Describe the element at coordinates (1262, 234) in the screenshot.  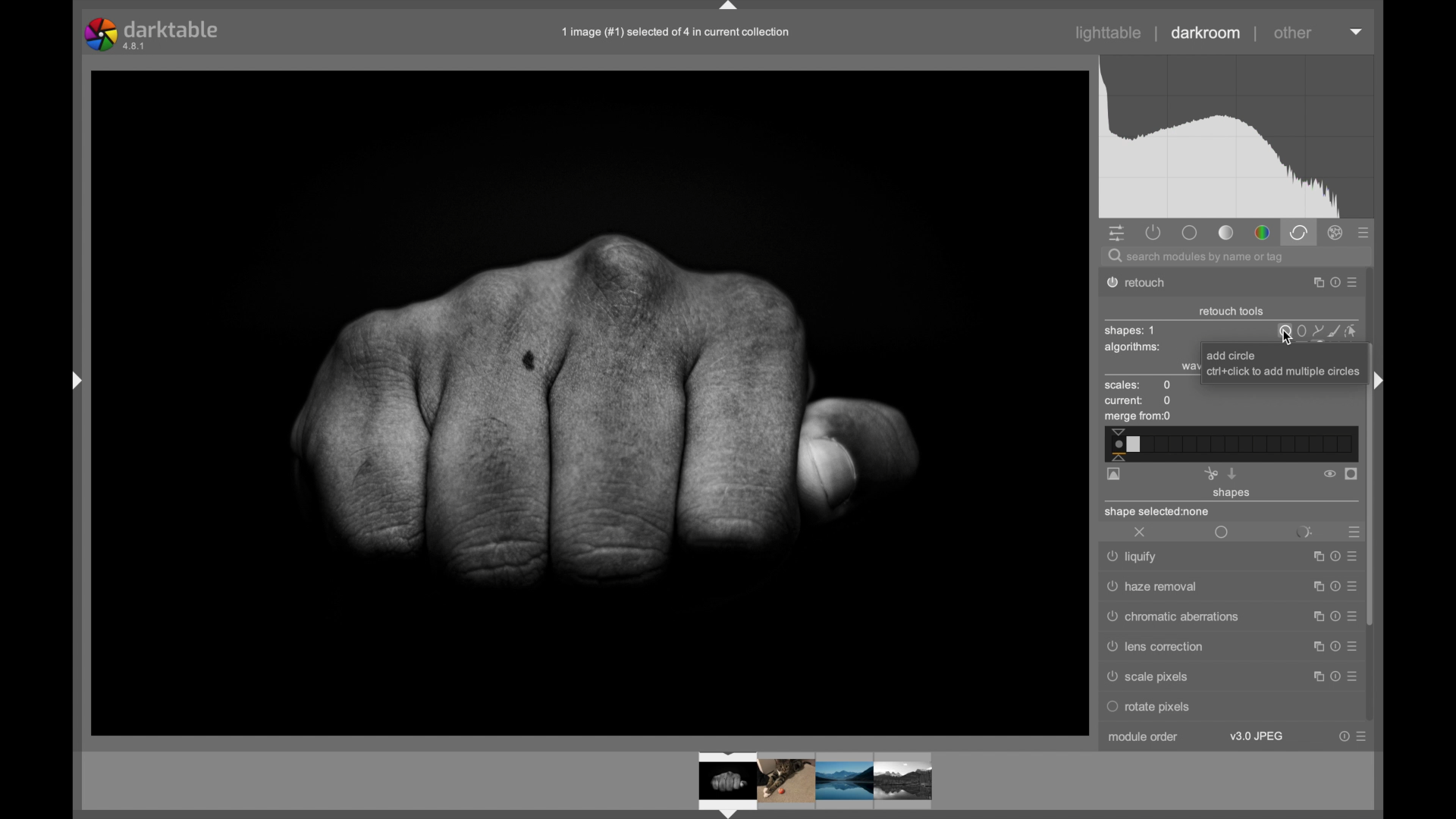
I see `color` at that location.